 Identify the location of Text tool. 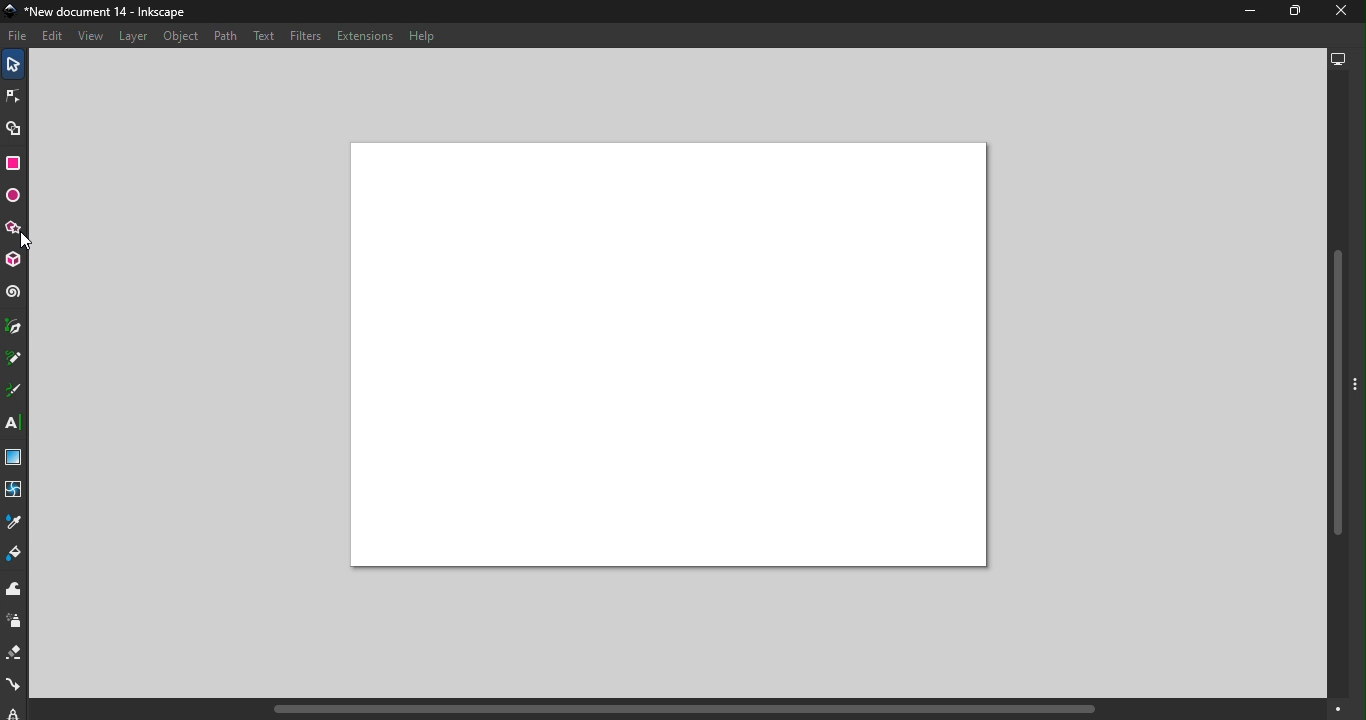
(16, 424).